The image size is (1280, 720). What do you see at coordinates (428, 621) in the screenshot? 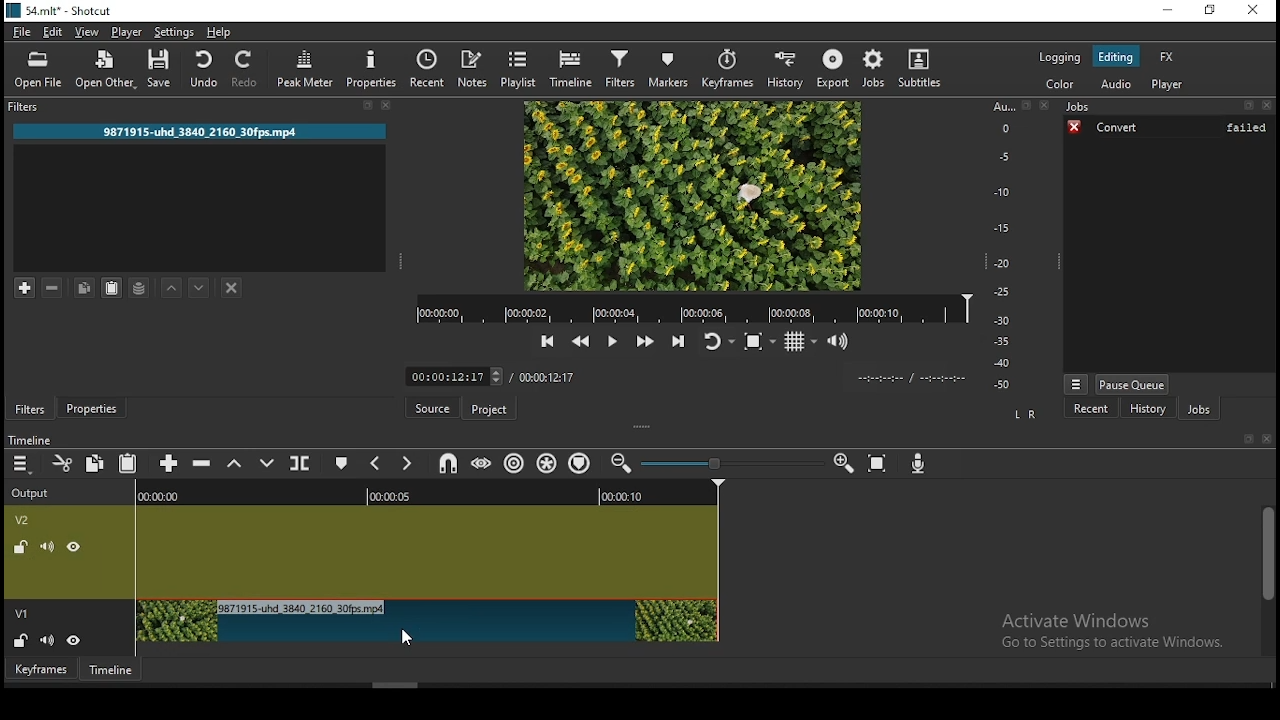
I see `video track 1` at bounding box center [428, 621].